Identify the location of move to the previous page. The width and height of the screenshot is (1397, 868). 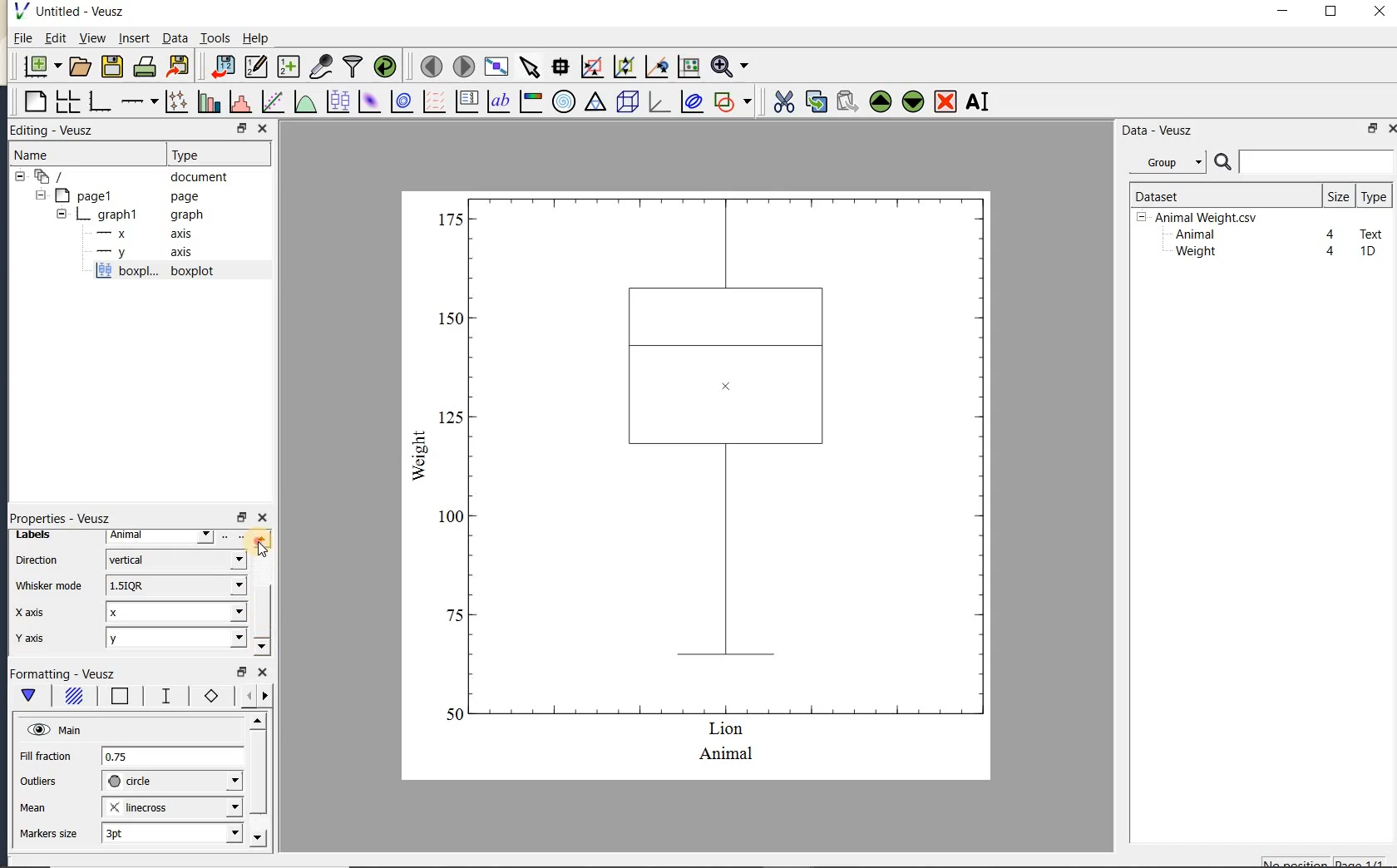
(428, 65).